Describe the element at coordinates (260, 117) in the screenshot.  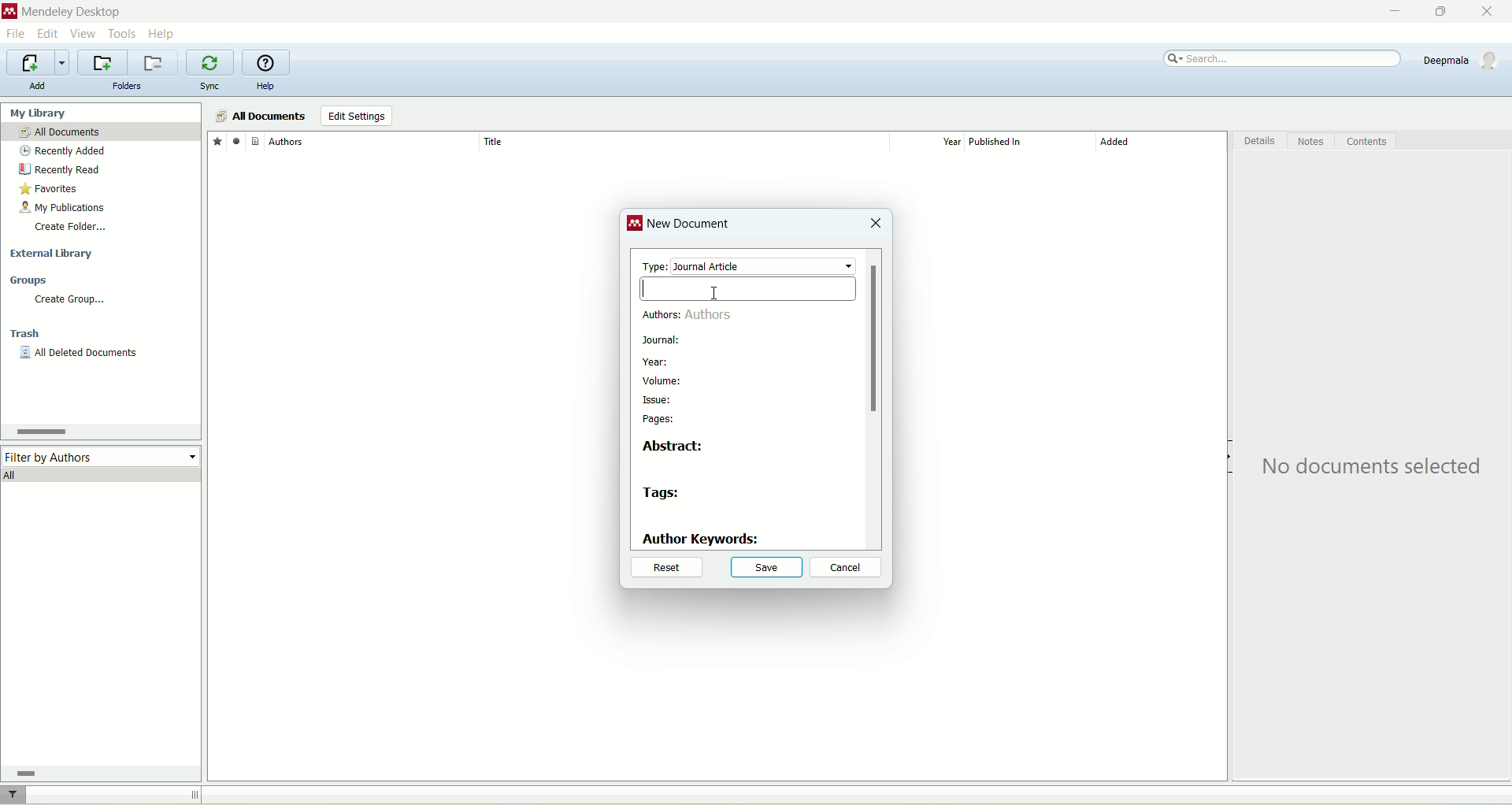
I see `all documents` at that location.